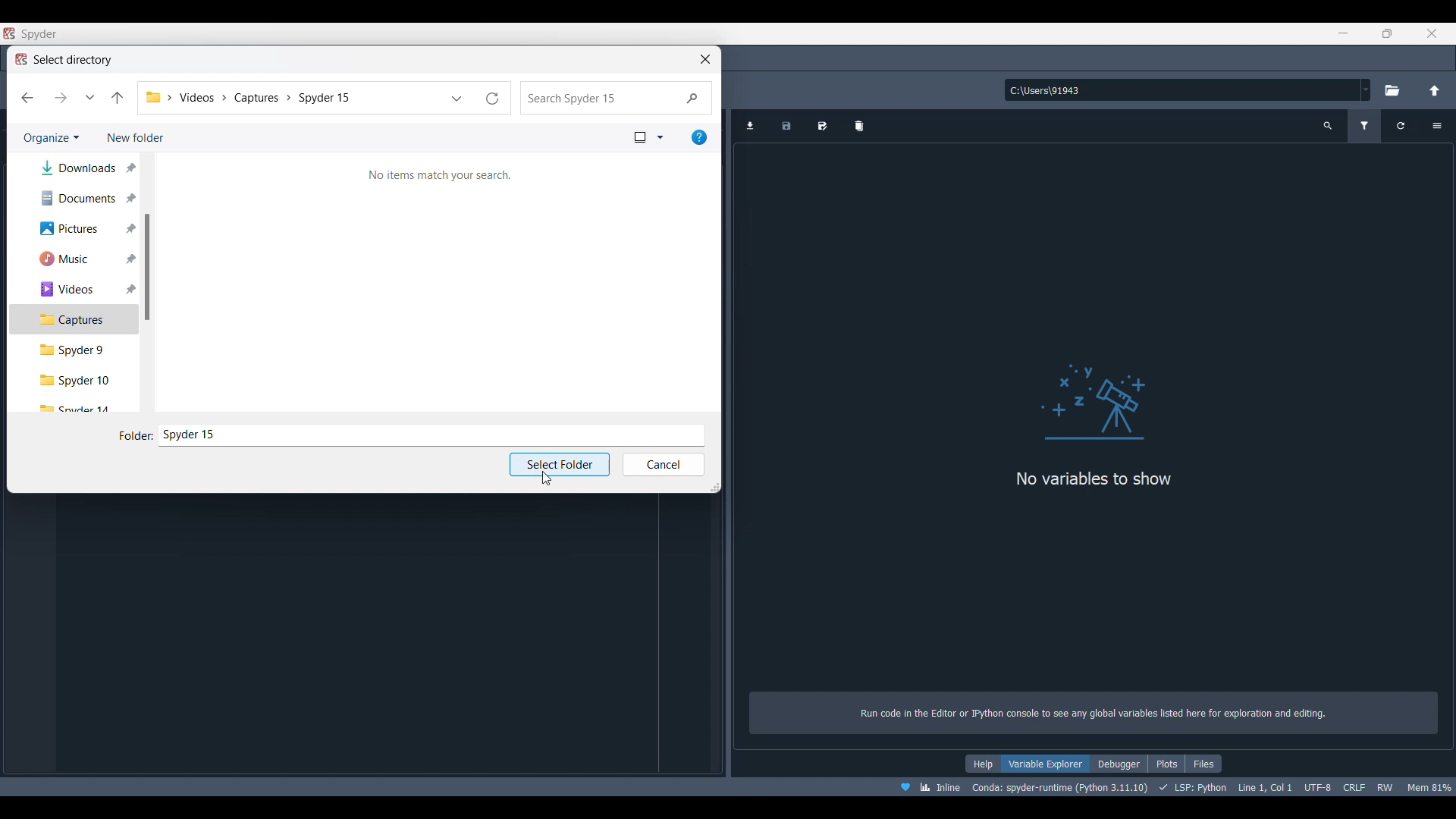  Describe the element at coordinates (77, 168) in the screenshot. I see `Downloads` at that location.